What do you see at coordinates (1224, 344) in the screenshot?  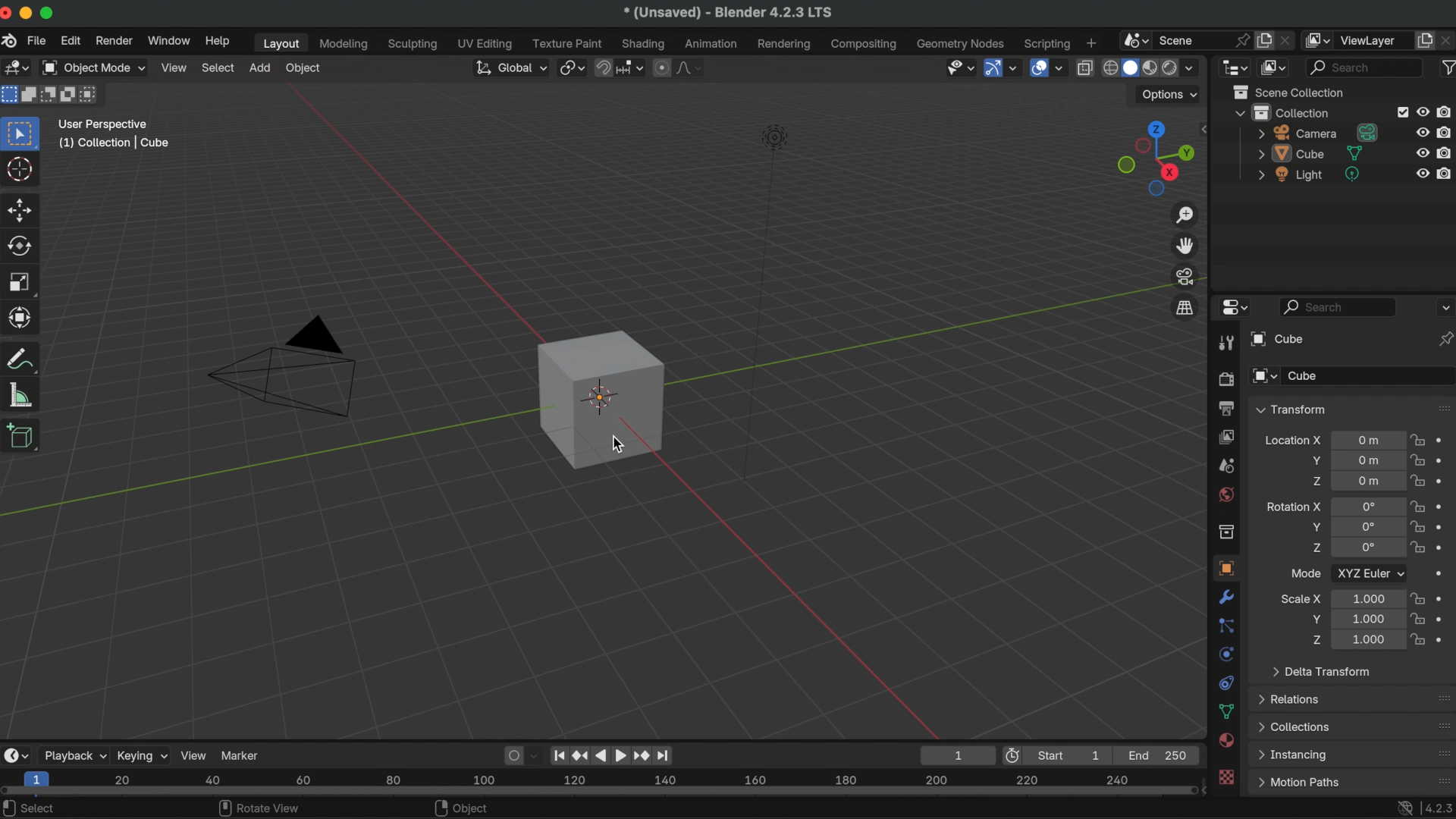 I see `tool` at bounding box center [1224, 344].